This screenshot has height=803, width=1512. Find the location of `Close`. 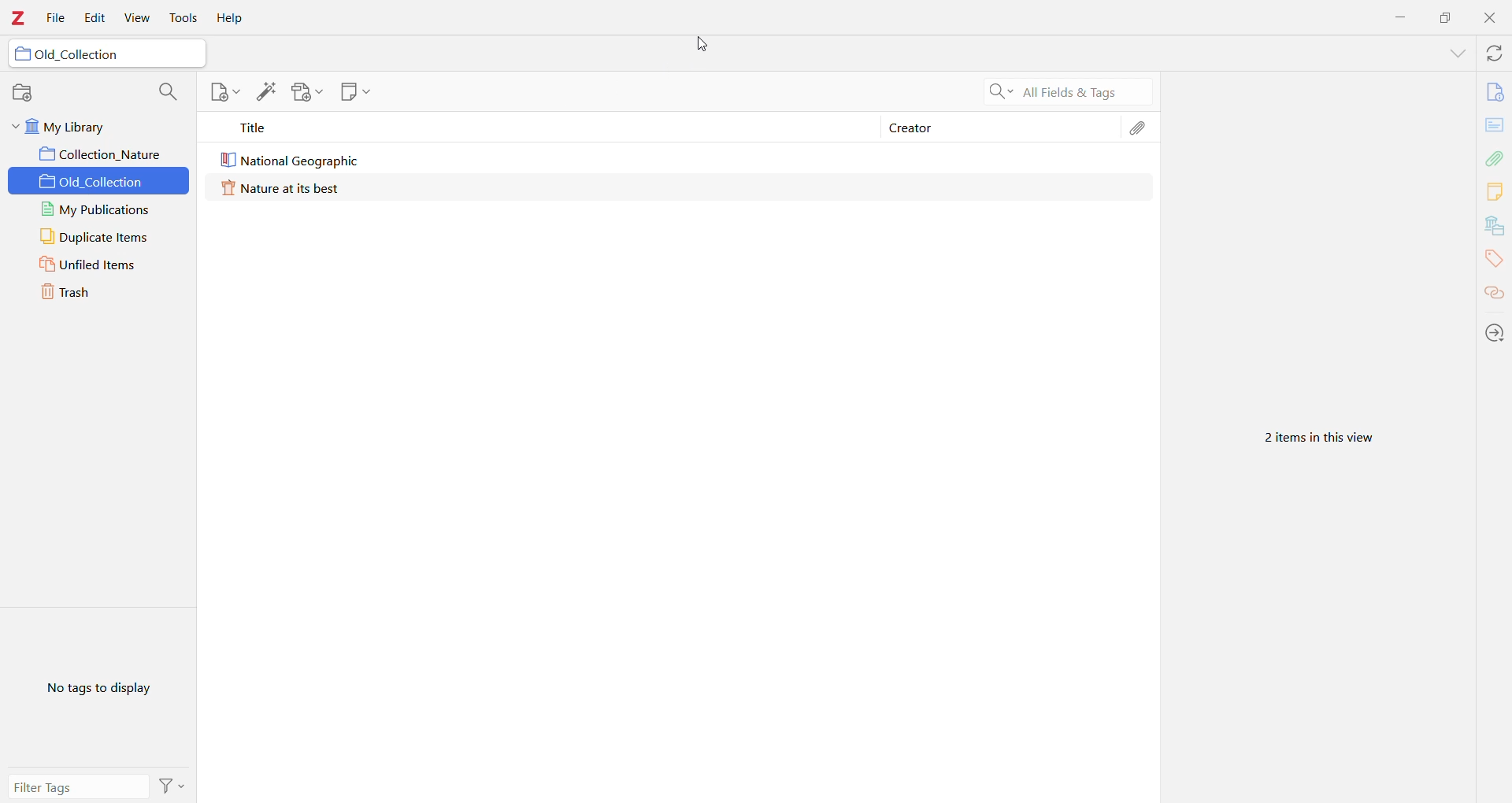

Close is located at coordinates (1489, 19).